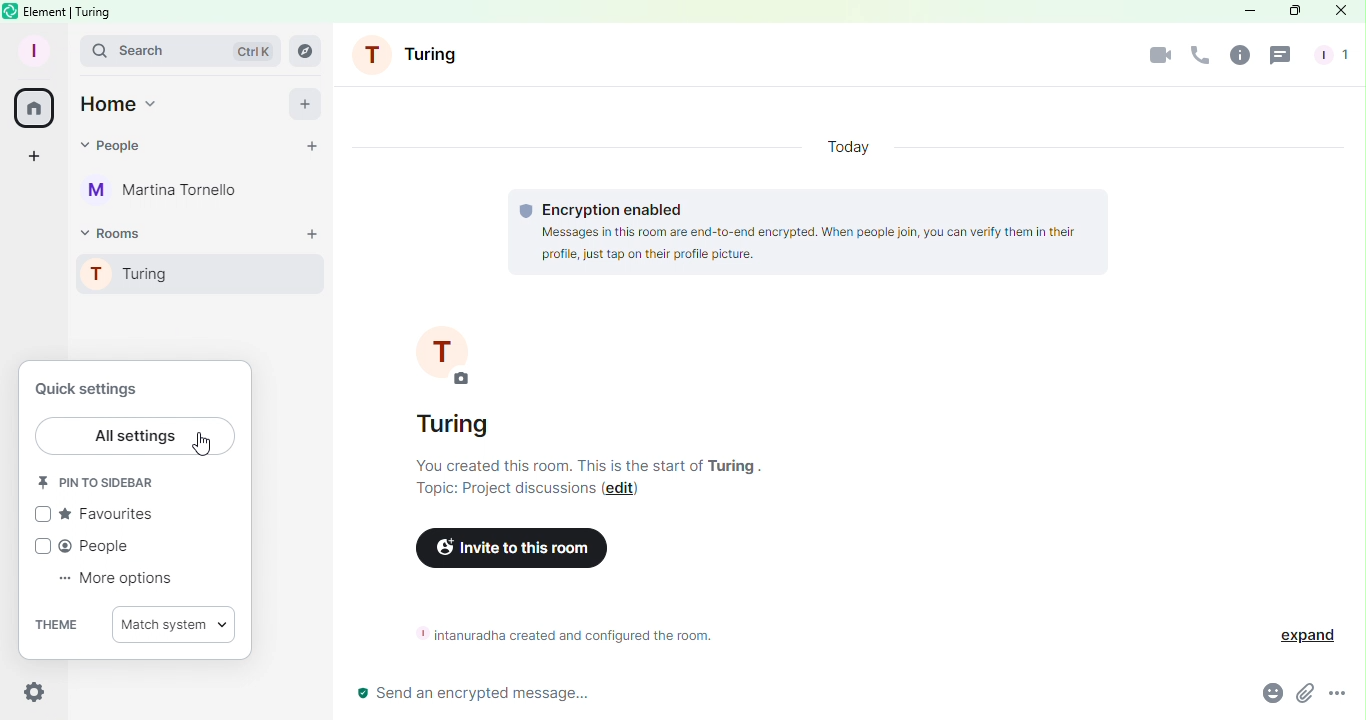 This screenshot has height=720, width=1366. What do you see at coordinates (112, 145) in the screenshot?
I see `People` at bounding box center [112, 145].